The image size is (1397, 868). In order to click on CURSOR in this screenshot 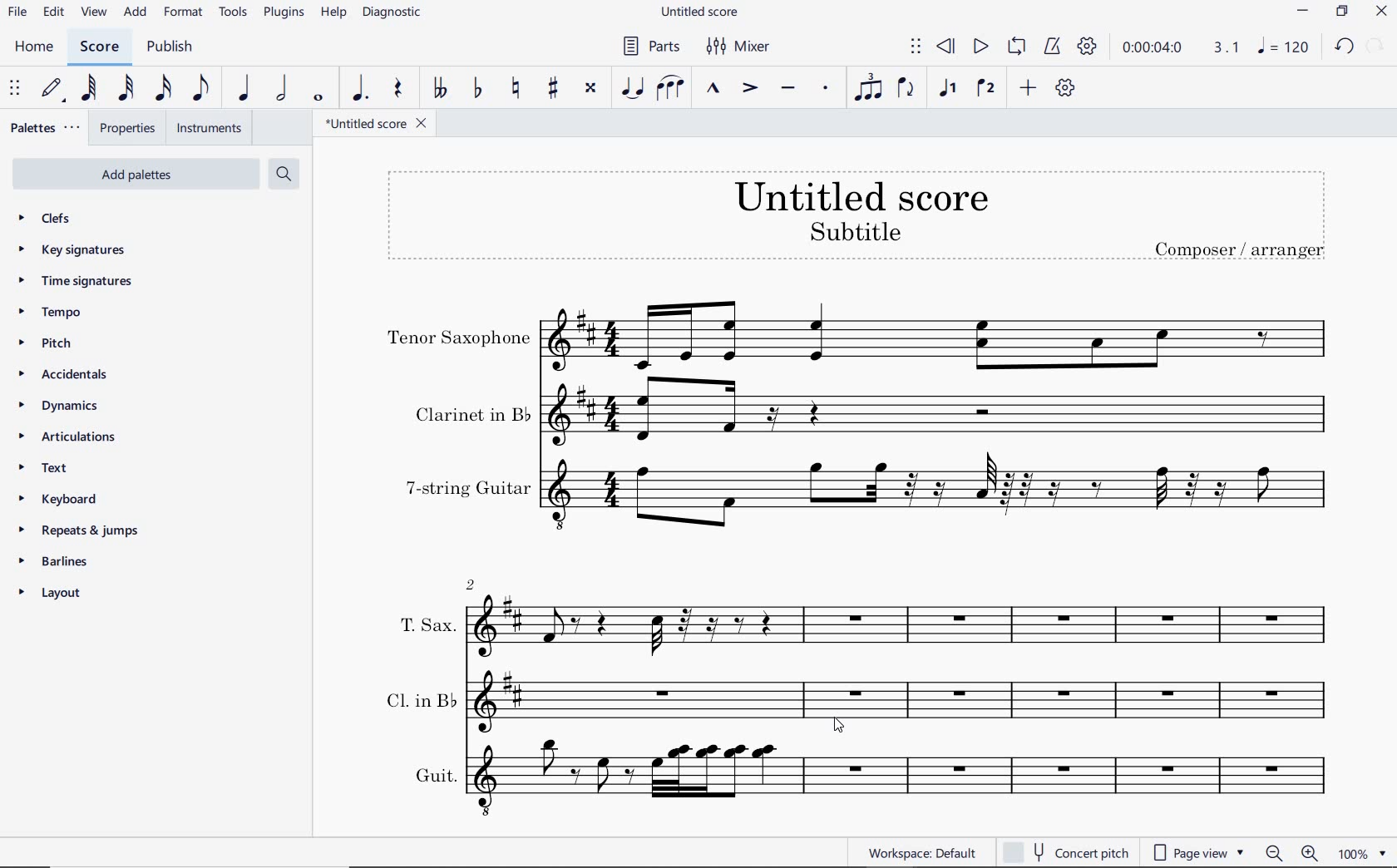, I will do `click(842, 727)`.